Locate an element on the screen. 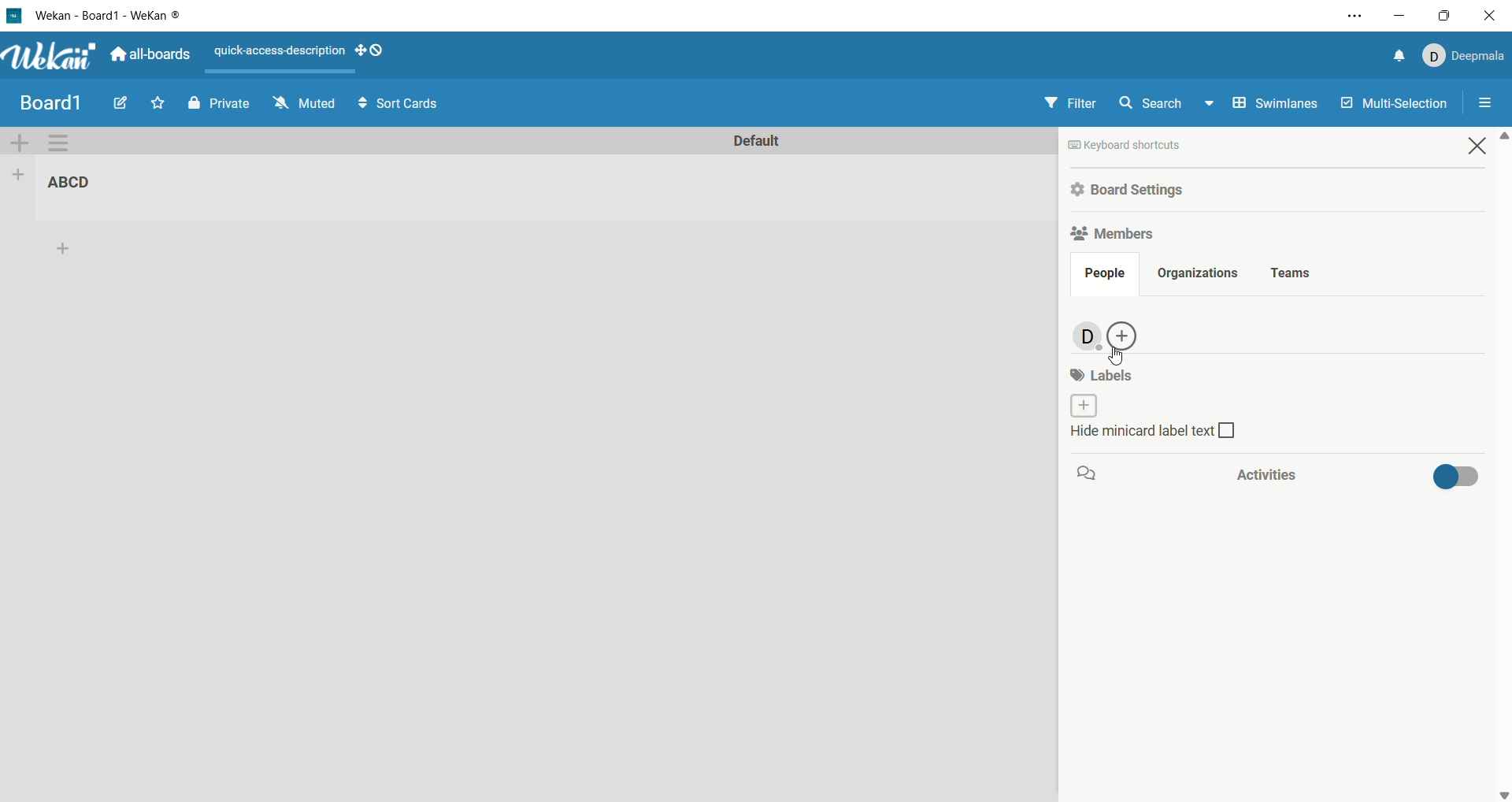 The width and height of the screenshot is (1512, 802). default is located at coordinates (755, 142).